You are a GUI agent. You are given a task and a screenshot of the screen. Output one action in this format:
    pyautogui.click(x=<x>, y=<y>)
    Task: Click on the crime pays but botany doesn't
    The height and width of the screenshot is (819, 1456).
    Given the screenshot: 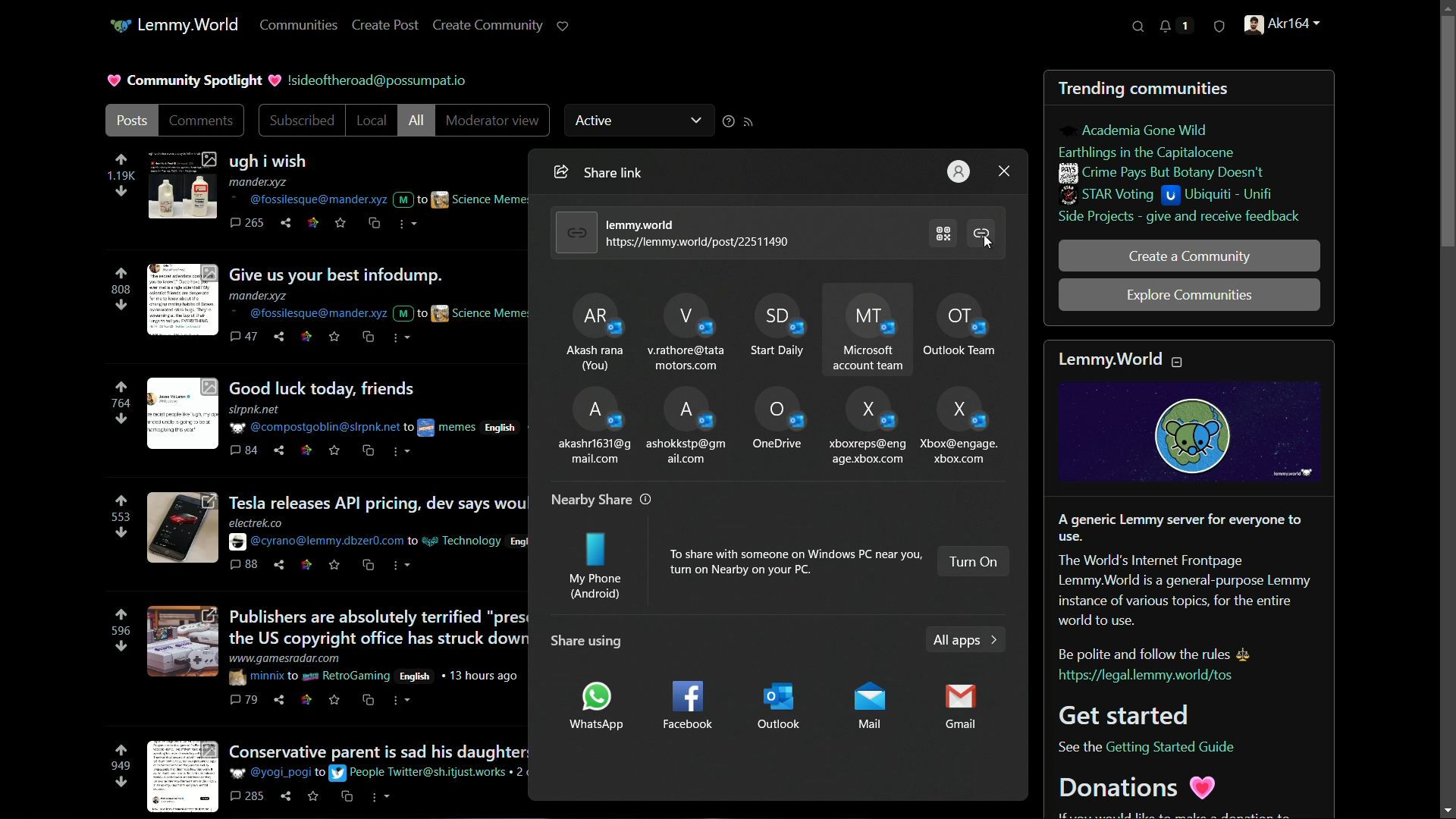 What is the action you would take?
    pyautogui.click(x=1162, y=173)
    